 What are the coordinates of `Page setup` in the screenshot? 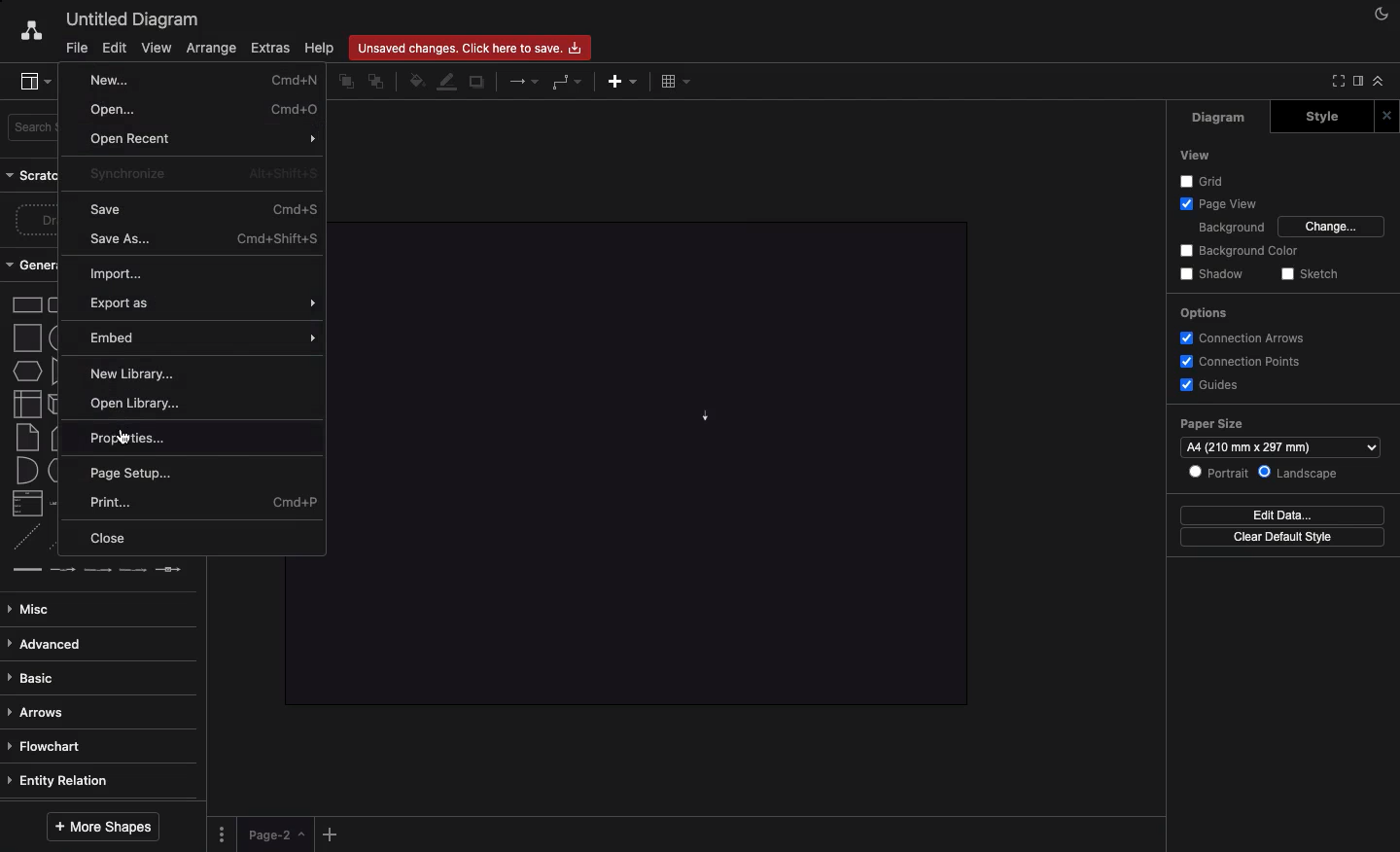 It's located at (132, 473).